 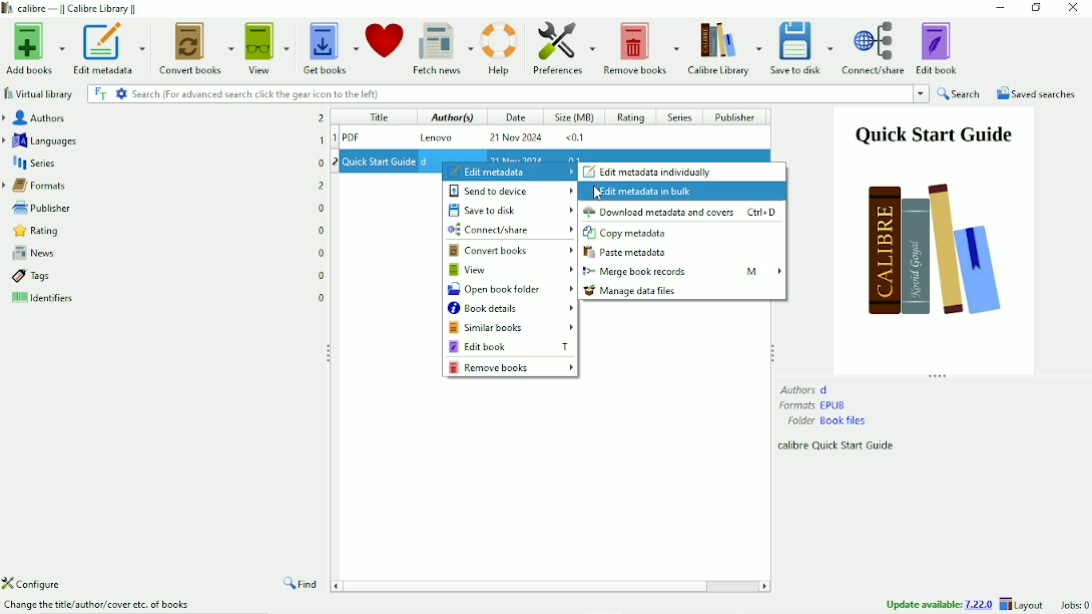 I want to click on Identifiers, so click(x=167, y=301).